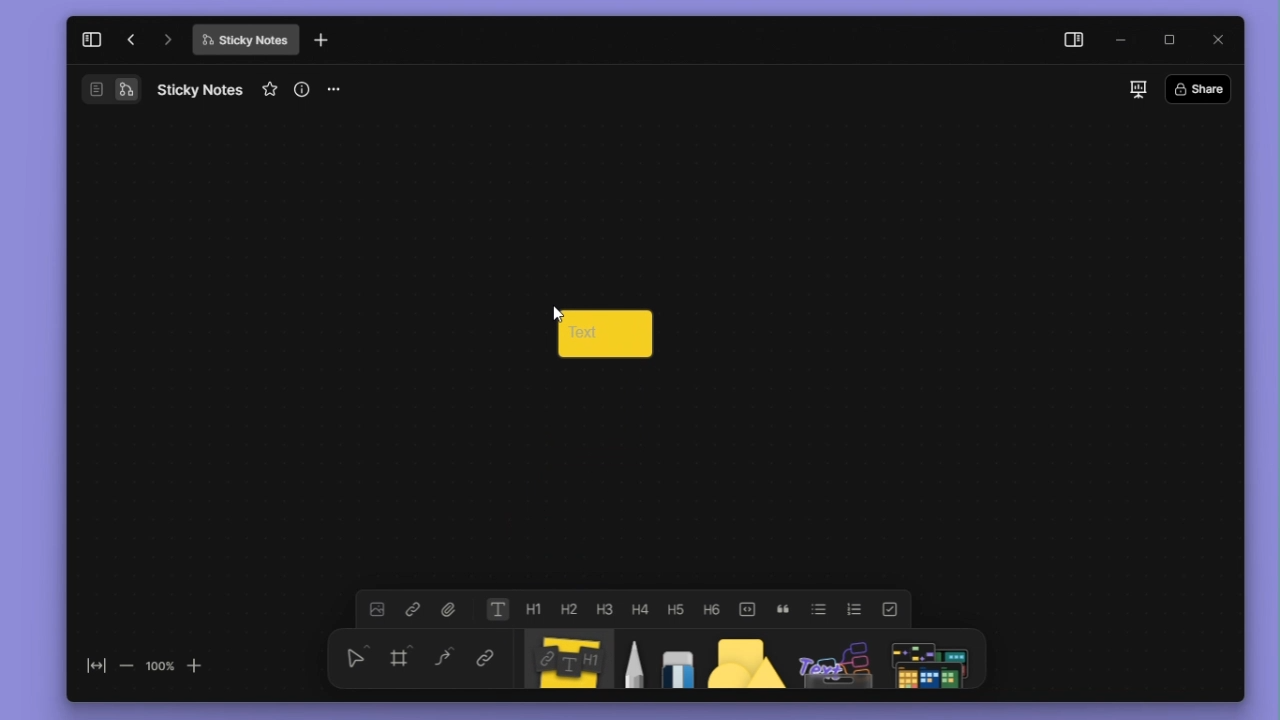 Image resolution: width=1280 pixels, height=720 pixels. I want to click on minimize, so click(1120, 41).